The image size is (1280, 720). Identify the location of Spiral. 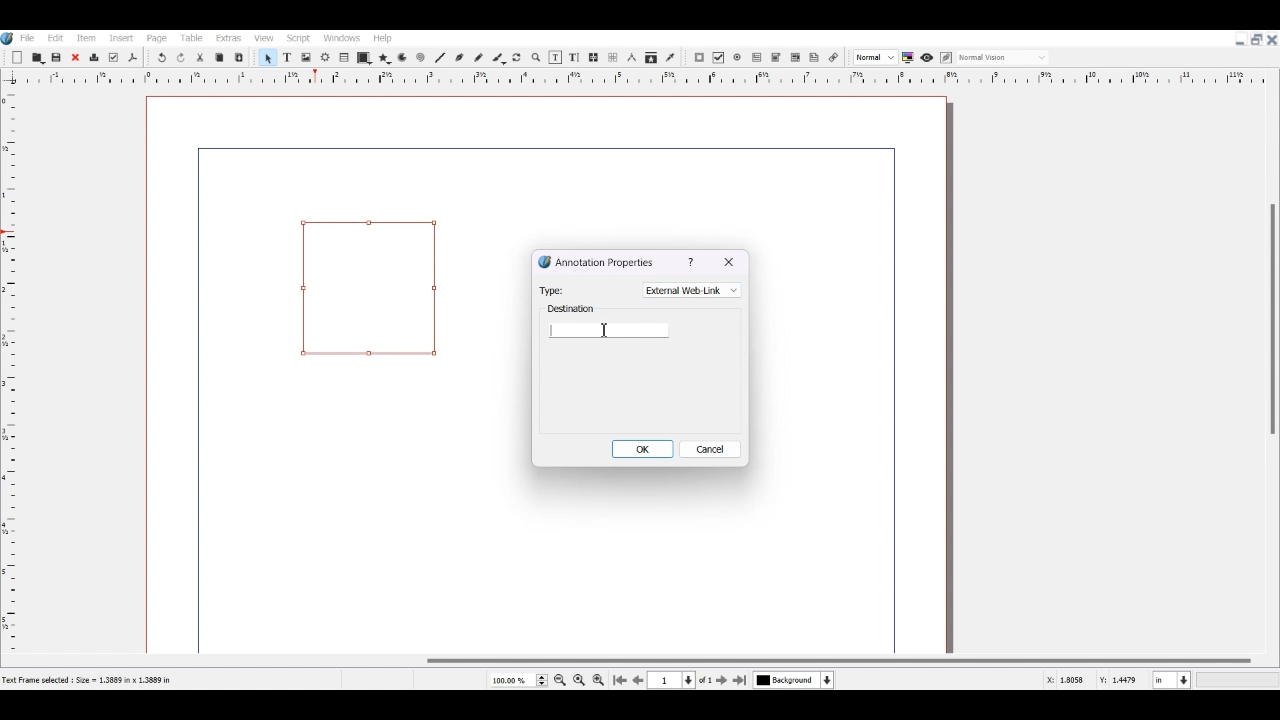
(420, 58).